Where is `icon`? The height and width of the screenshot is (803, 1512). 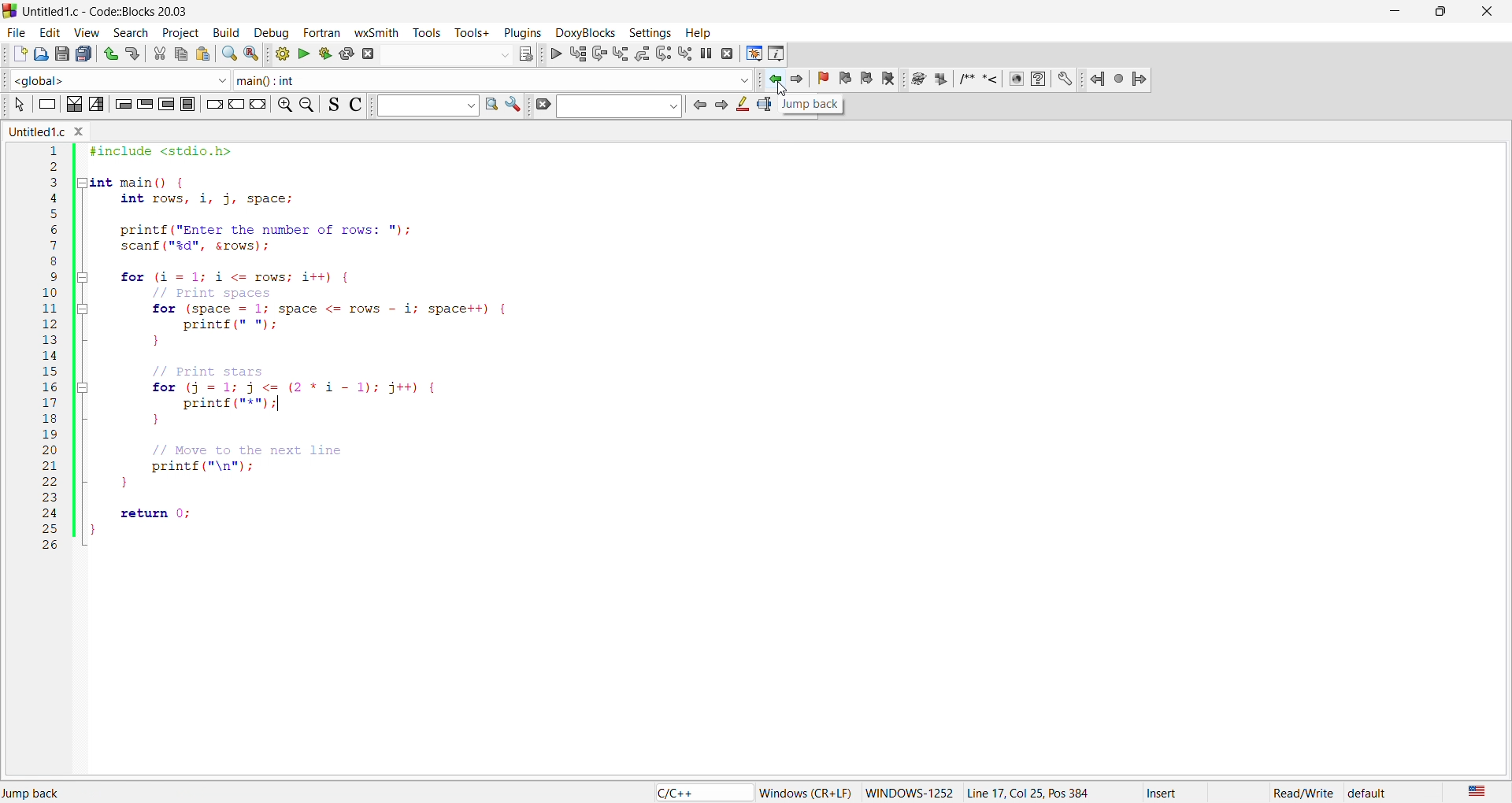
icon is located at coordinates (258, 105).